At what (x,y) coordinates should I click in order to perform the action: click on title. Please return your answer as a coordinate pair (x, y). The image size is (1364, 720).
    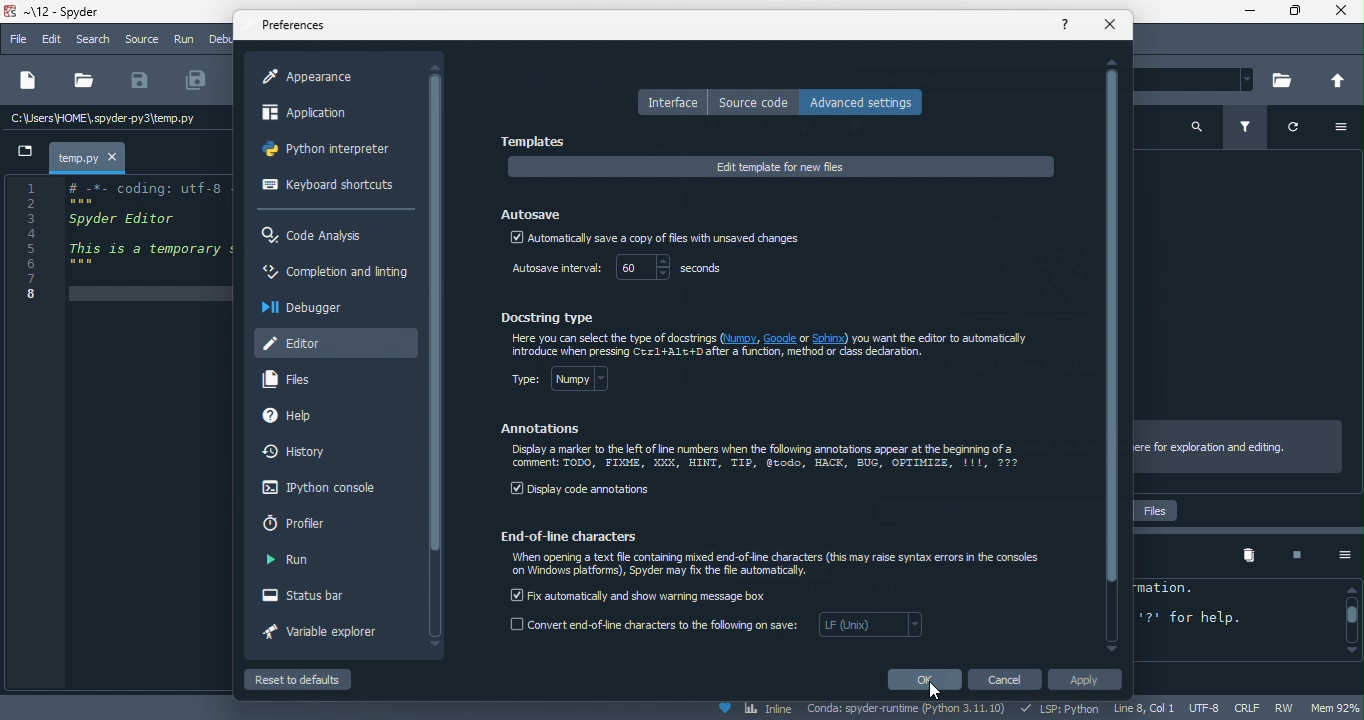
    Looking at the image, I should click on (62, 13).